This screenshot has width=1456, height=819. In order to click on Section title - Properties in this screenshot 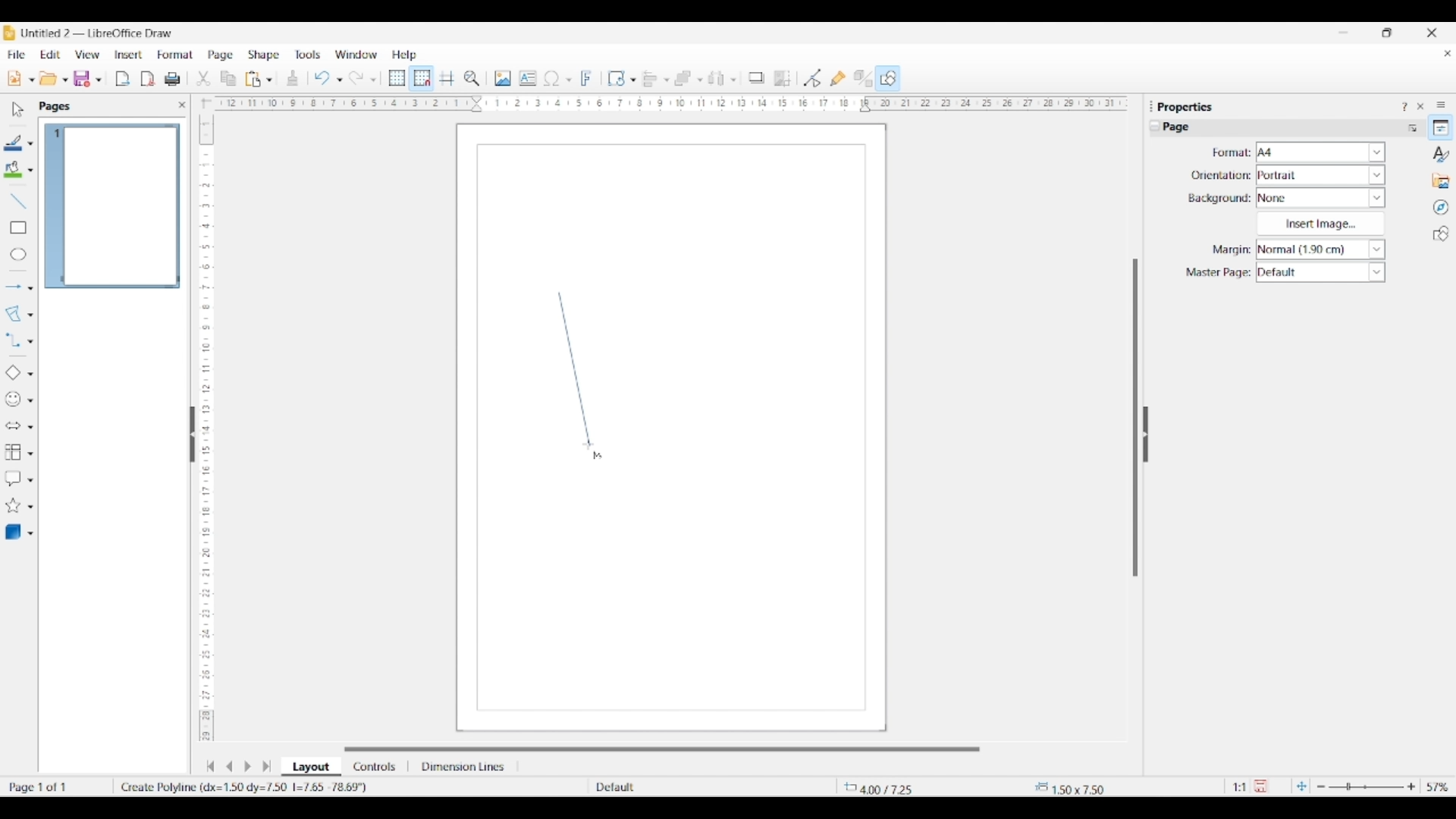, I will do `click(1187, 106)`.